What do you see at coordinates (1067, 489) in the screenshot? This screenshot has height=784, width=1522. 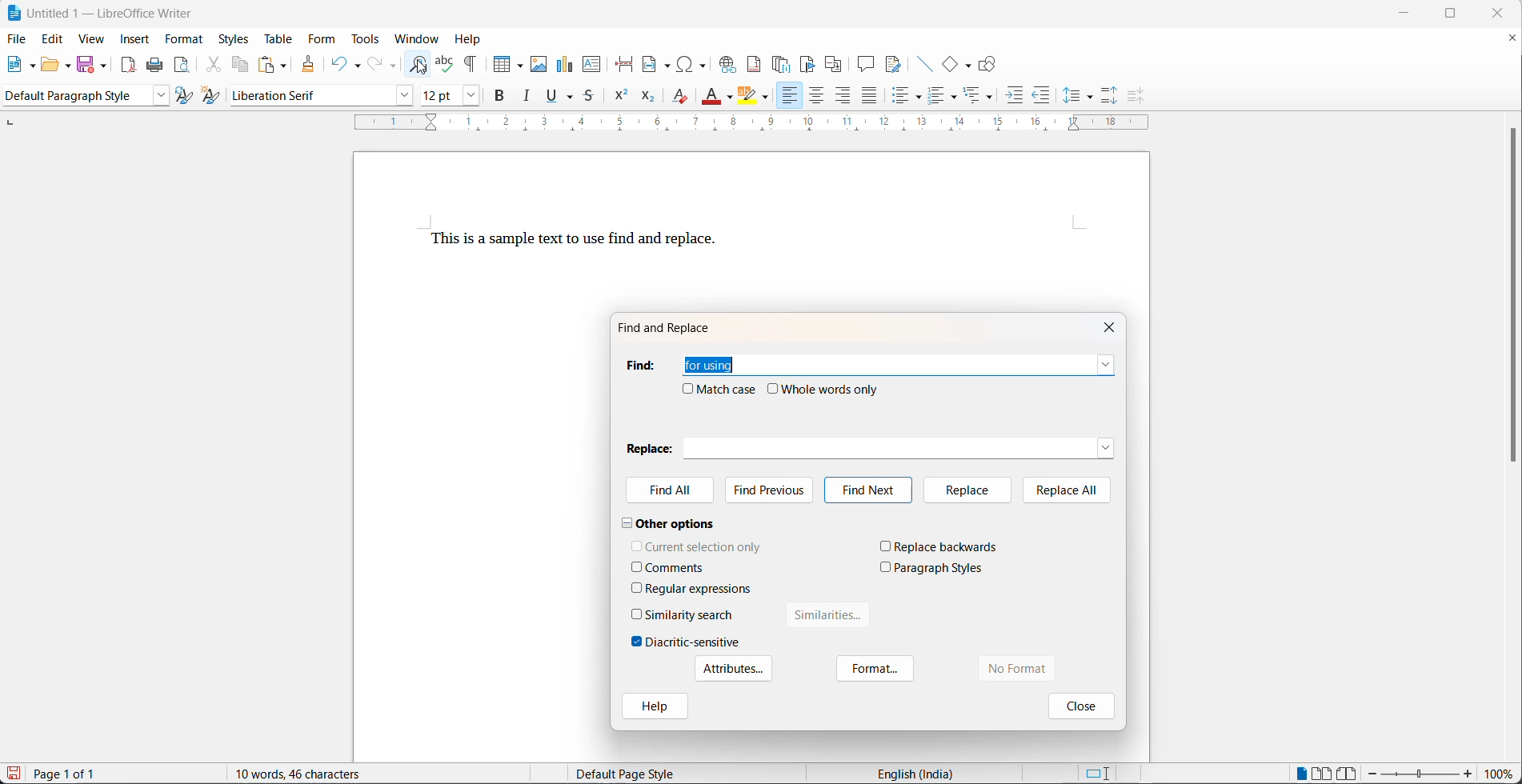 I see `replace all` at bounding box center [1067, 489].